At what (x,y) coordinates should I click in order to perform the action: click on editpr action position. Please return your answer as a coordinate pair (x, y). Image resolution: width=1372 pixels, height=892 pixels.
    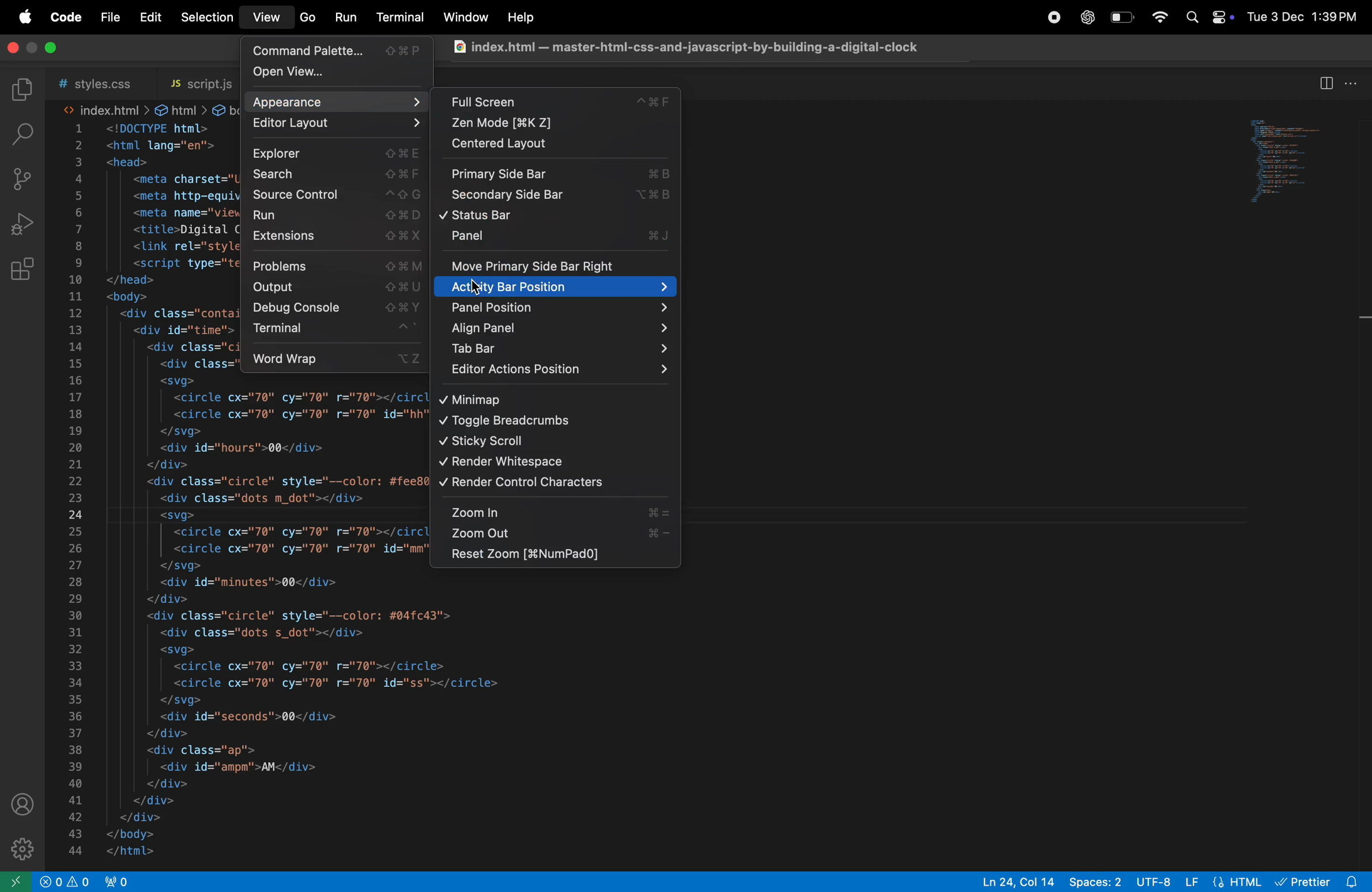
    Looking at the image, I should click on (560, 372).